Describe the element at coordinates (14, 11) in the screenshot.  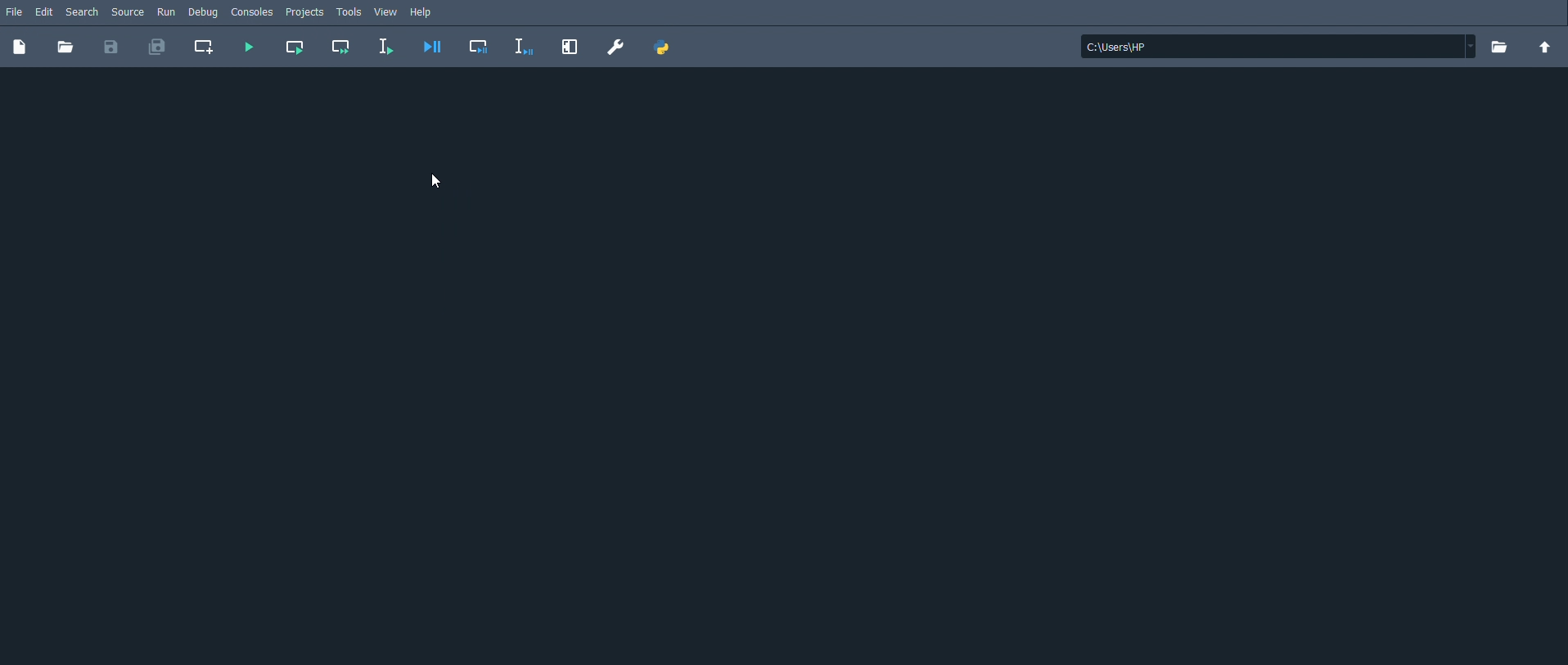
I see `File` at that location.